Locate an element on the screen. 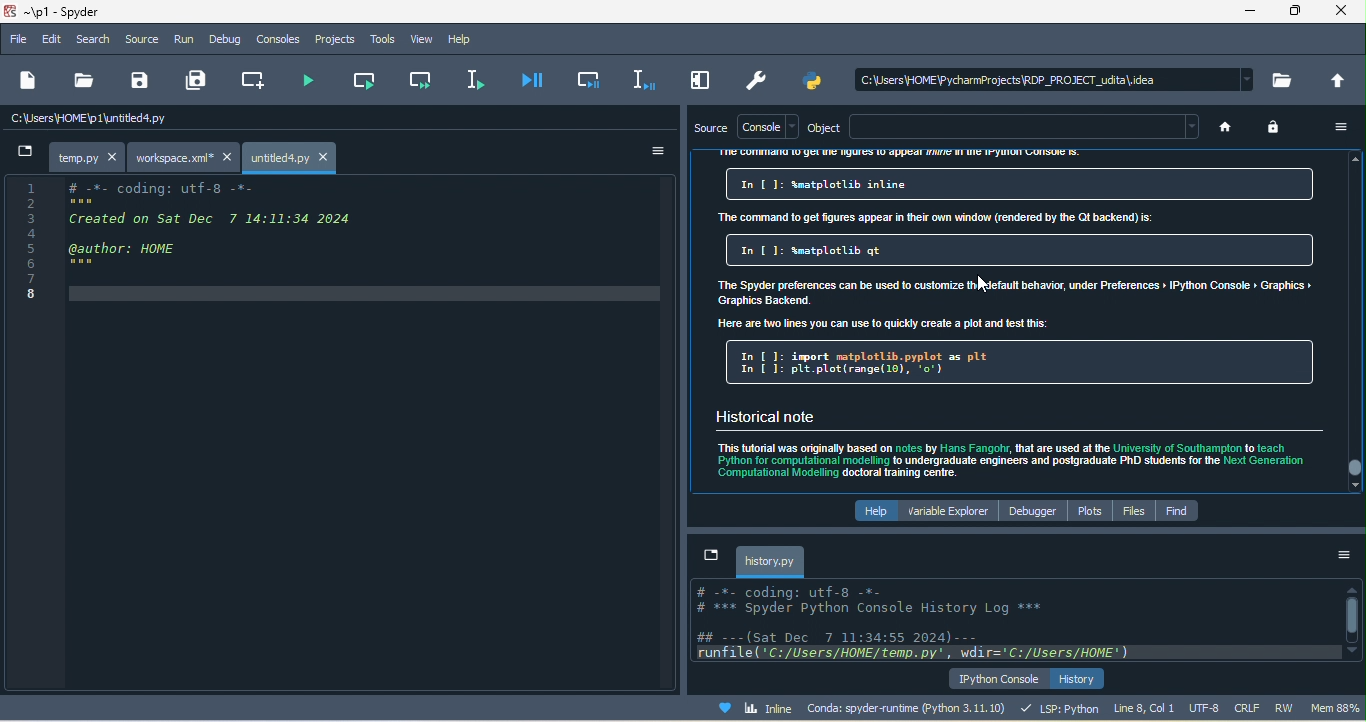  line 8 col 1 is located at coordinates (1147, 709).